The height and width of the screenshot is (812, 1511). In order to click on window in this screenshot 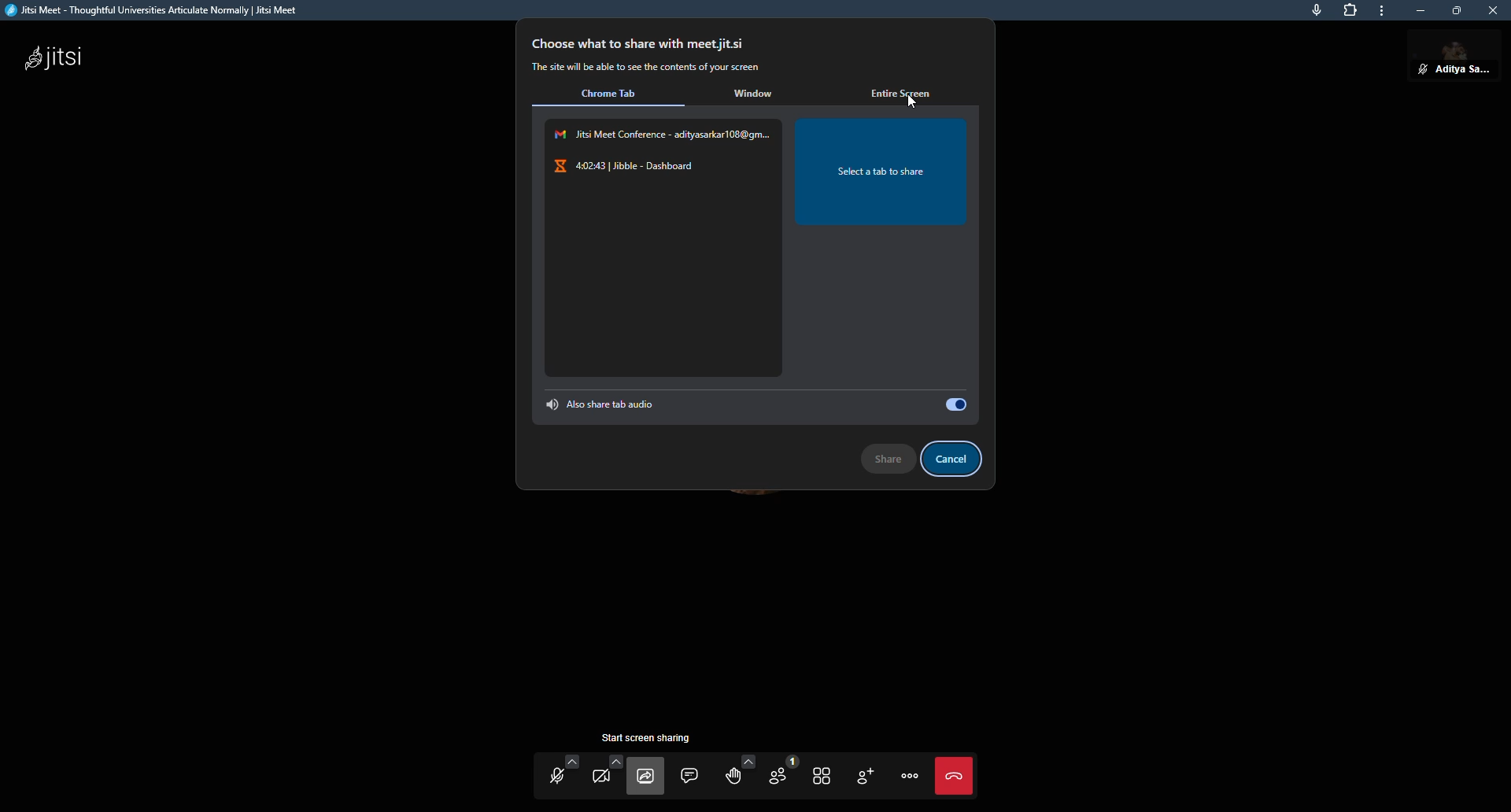, I will do `click(755, 94)`.